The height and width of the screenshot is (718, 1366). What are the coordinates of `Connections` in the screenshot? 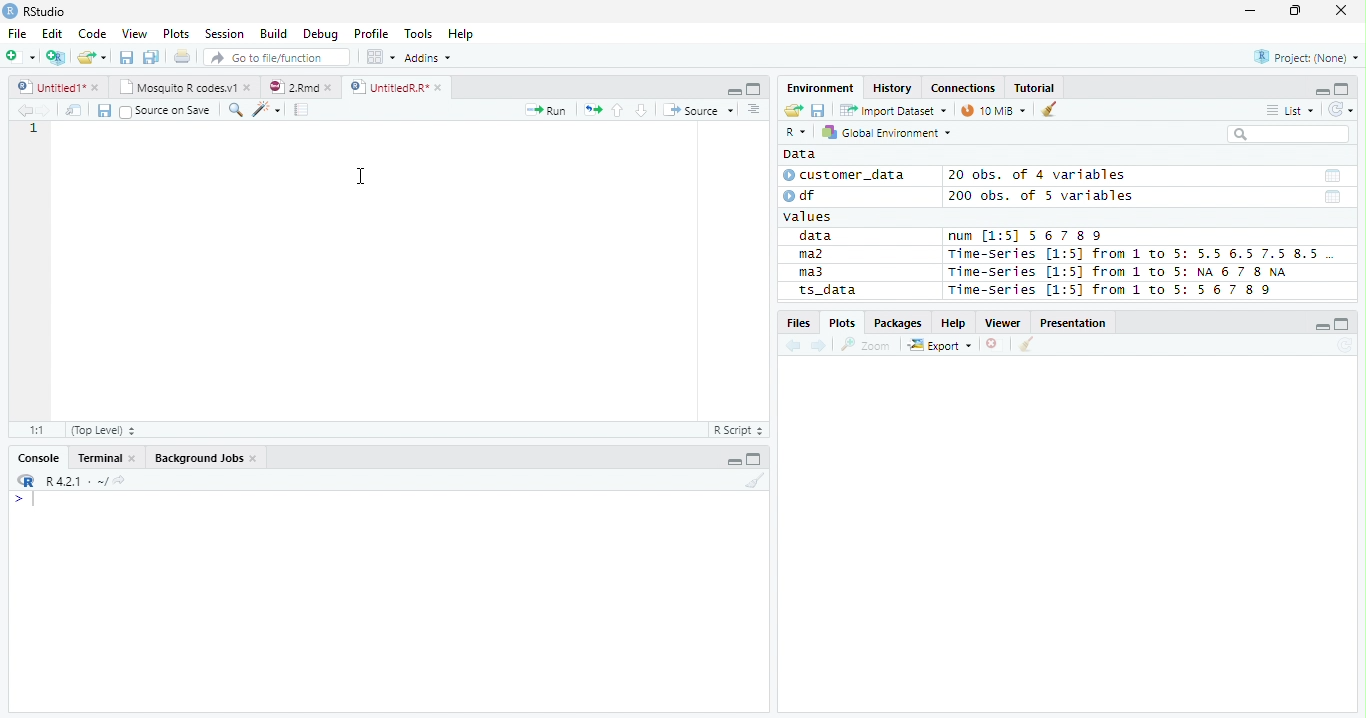 It's located at (963, 88).